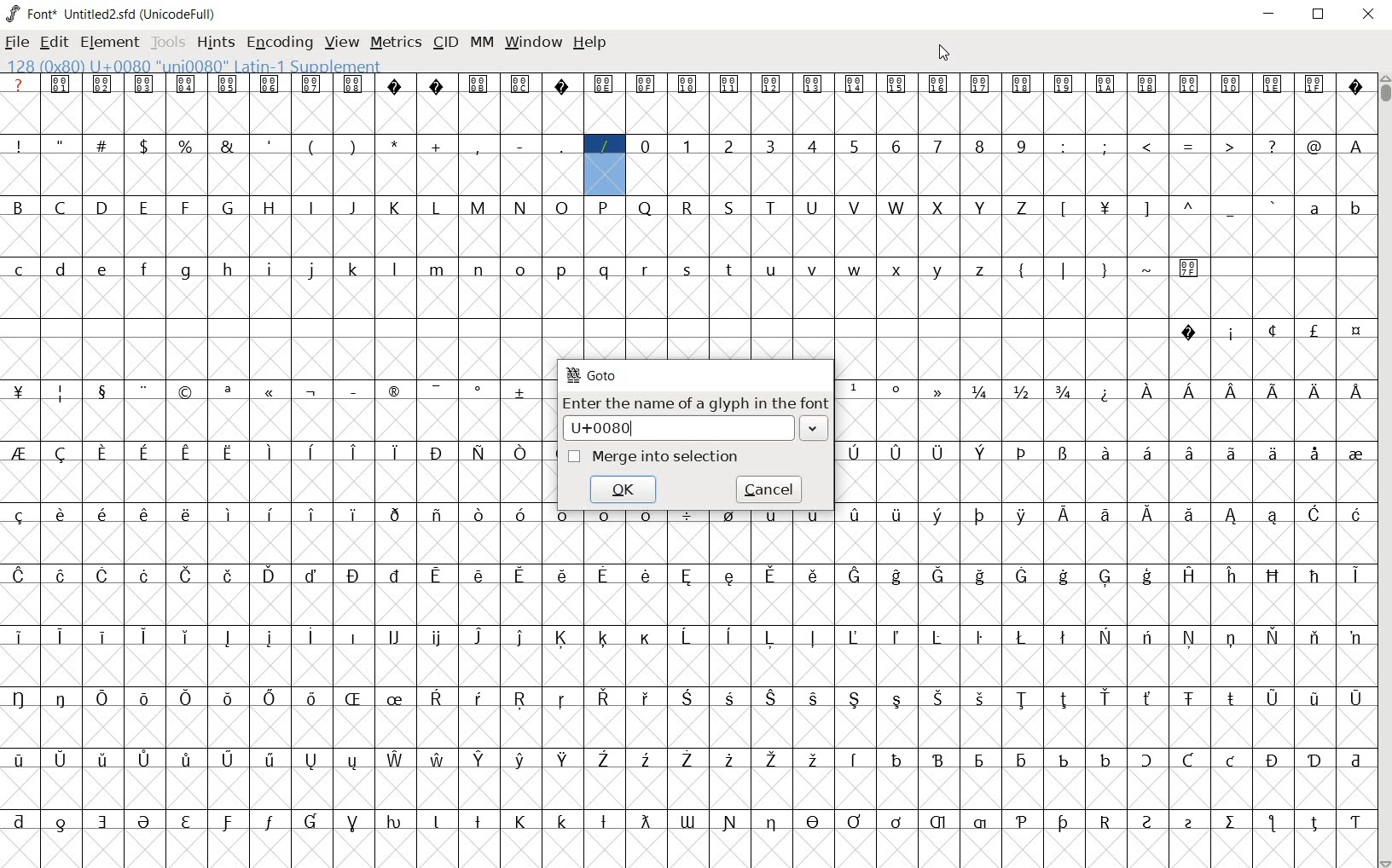 The image size is (1392, 868). What do you see at coordinates (561, 700) in the screenshot?
I see `glyph` at bounding box center [561, 700].